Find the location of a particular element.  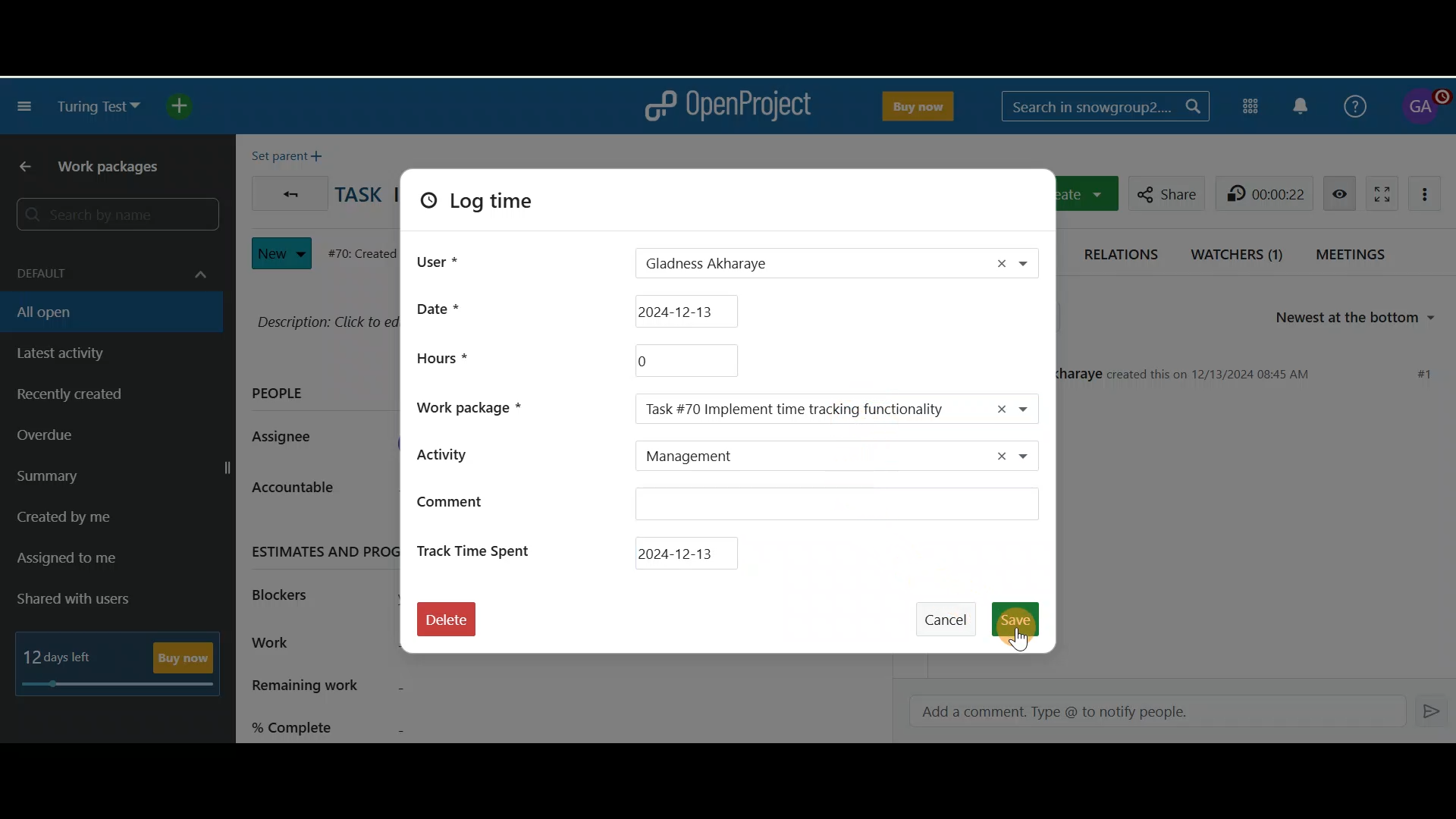

Remove is located at coordinates (997, 408).